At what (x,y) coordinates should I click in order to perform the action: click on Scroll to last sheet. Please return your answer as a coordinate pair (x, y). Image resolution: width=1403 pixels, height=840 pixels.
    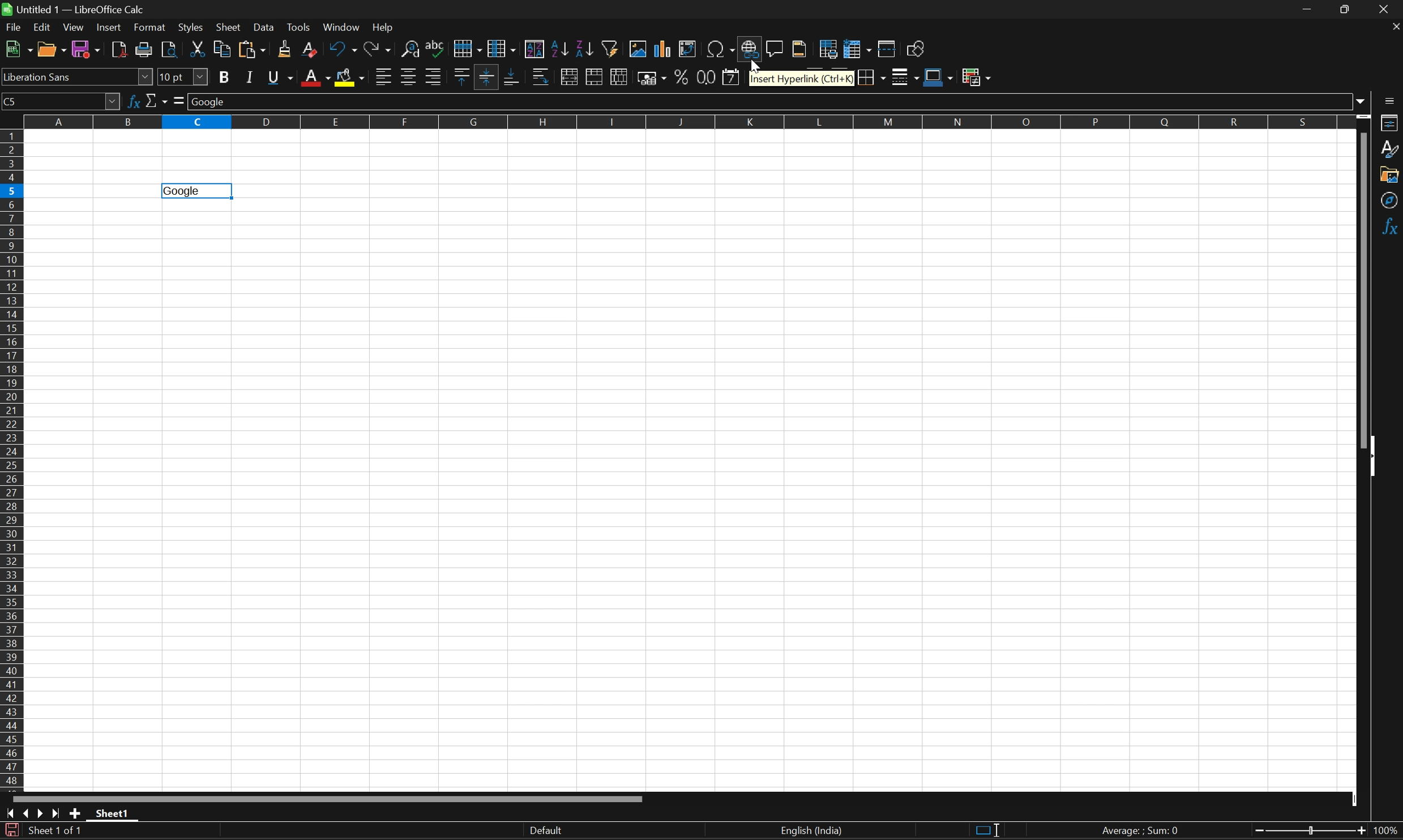
    Looking at the image, I should click on (54, 816).